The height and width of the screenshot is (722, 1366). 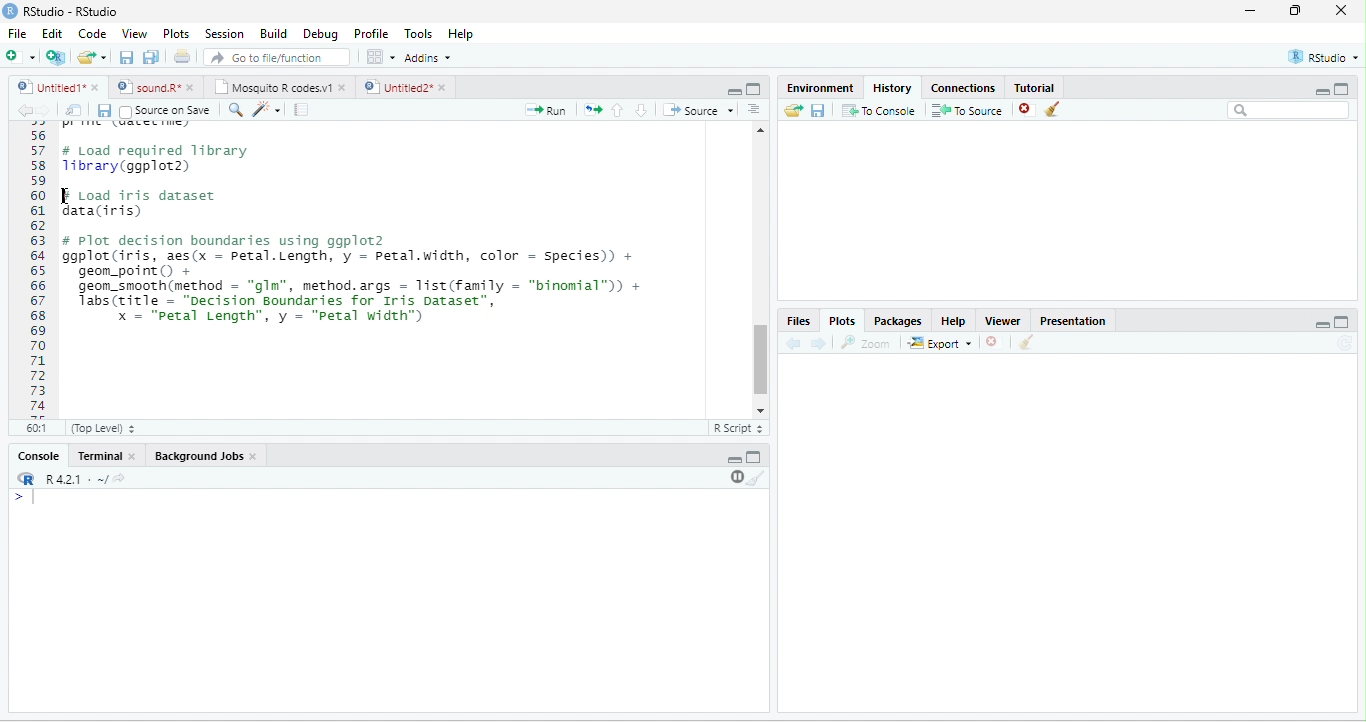 I want to click on options, so click(x=381, y=57).